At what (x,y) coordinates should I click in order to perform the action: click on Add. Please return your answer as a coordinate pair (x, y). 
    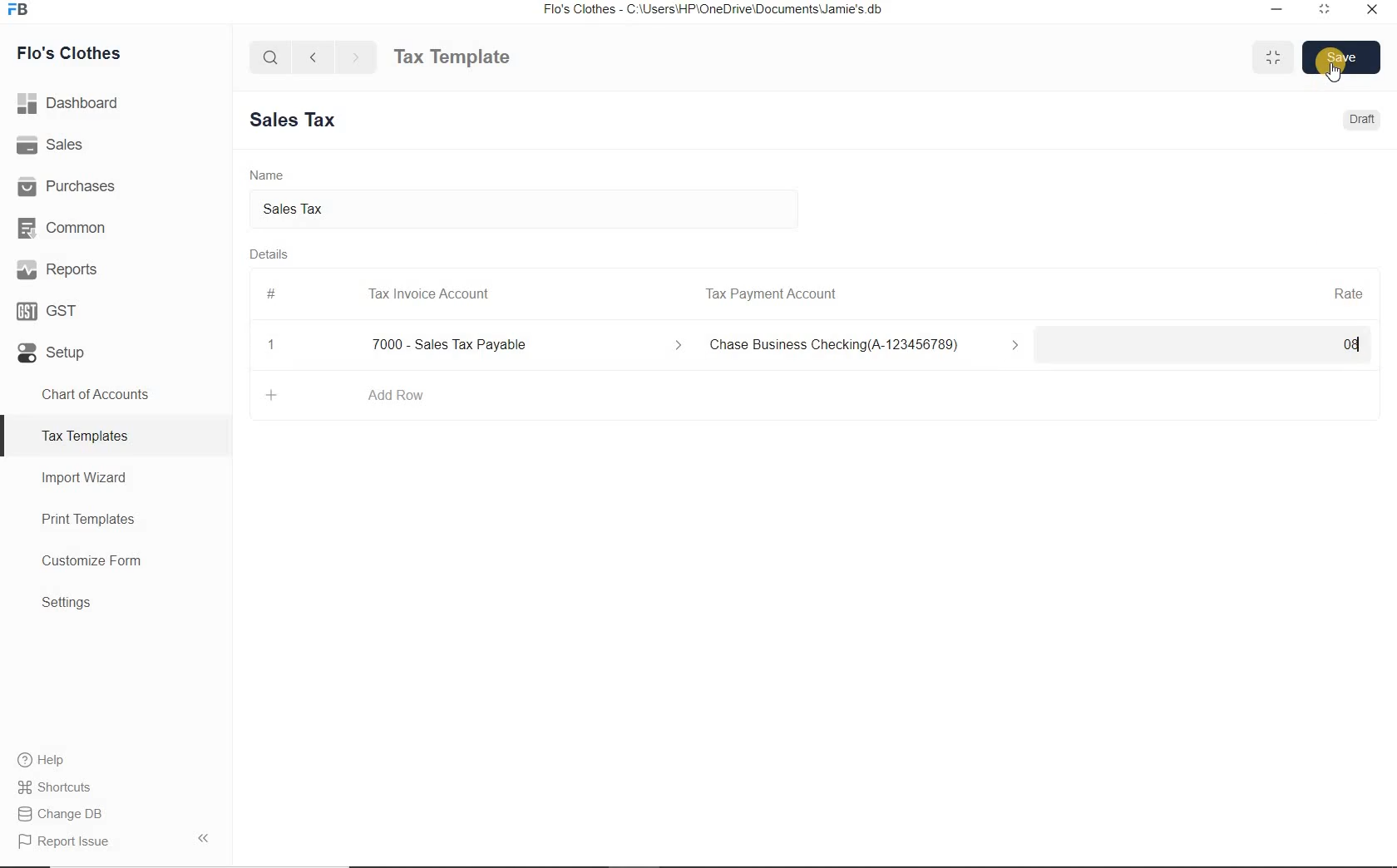
    Looking at the image, I should click on (273, 395).